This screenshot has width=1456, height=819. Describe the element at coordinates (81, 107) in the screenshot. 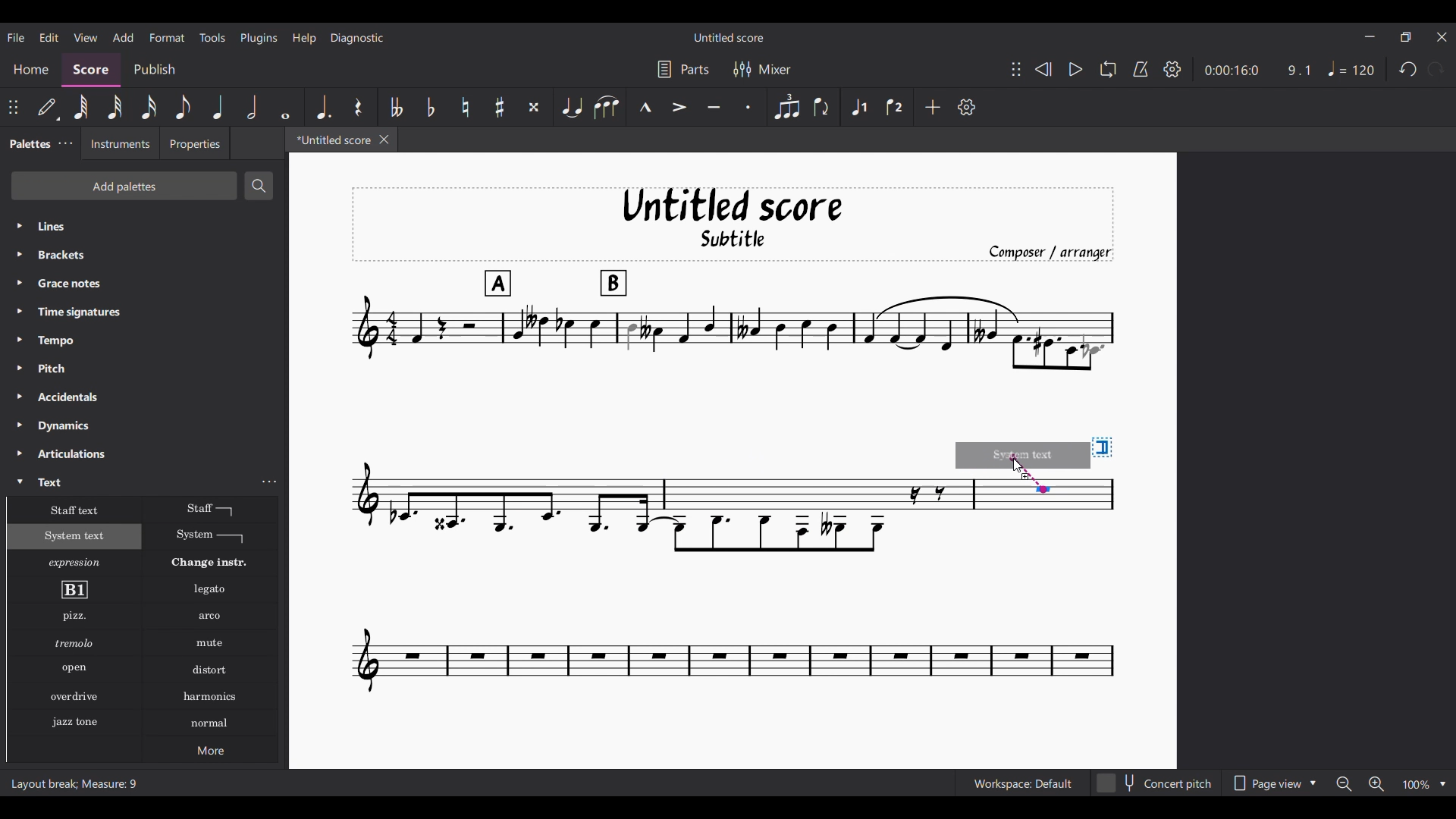

I see `64th note` at that location.